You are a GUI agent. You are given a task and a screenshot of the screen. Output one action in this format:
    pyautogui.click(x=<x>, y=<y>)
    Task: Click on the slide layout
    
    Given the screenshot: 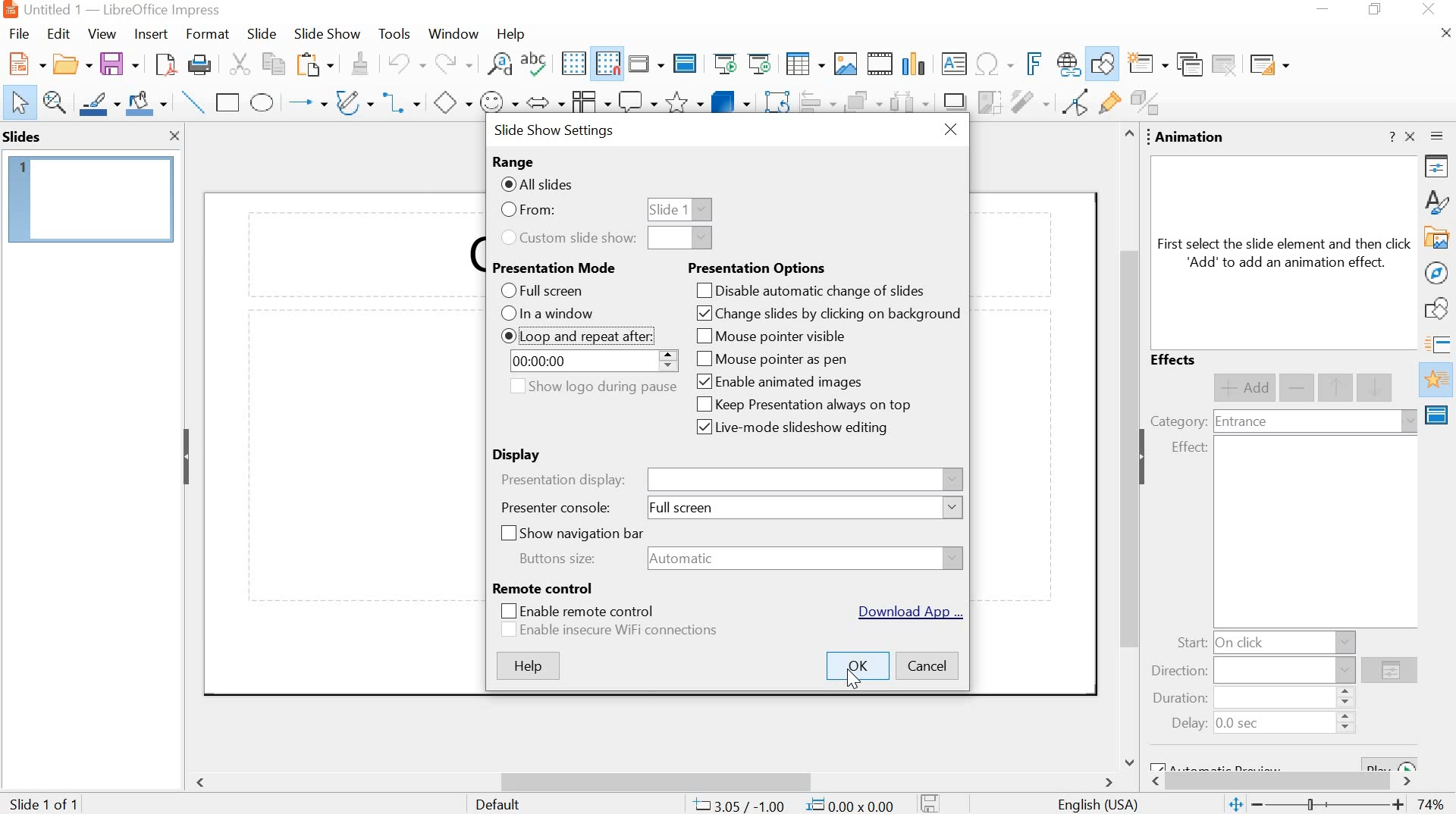 What is the action you would take?
    pyautogui.click(x=1268, y=64)
    